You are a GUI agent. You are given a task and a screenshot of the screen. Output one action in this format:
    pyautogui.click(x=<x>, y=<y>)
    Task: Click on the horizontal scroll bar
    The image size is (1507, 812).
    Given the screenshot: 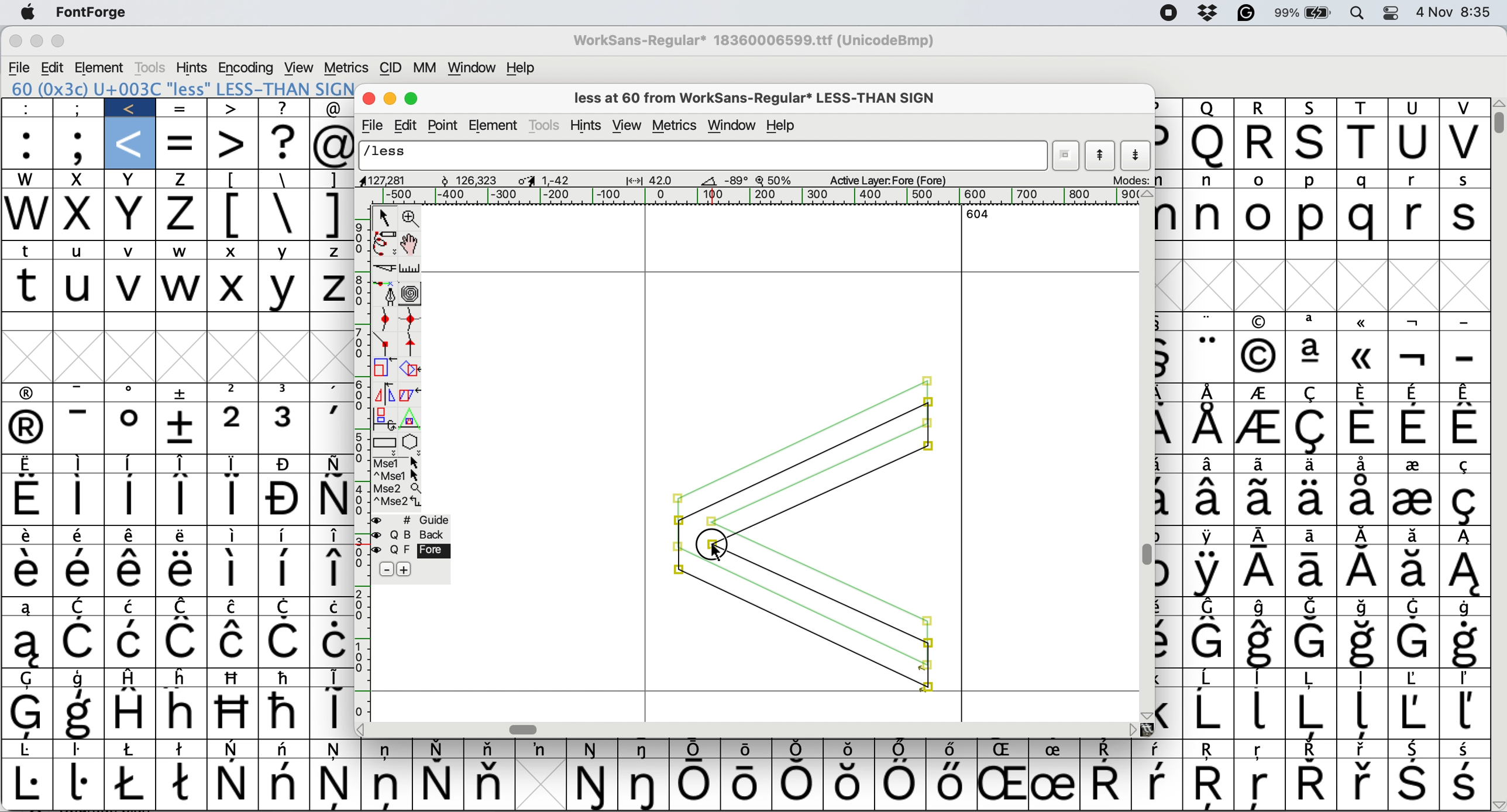 What is the action you would take?
    pyautogui.click(x=744, y=728)
    